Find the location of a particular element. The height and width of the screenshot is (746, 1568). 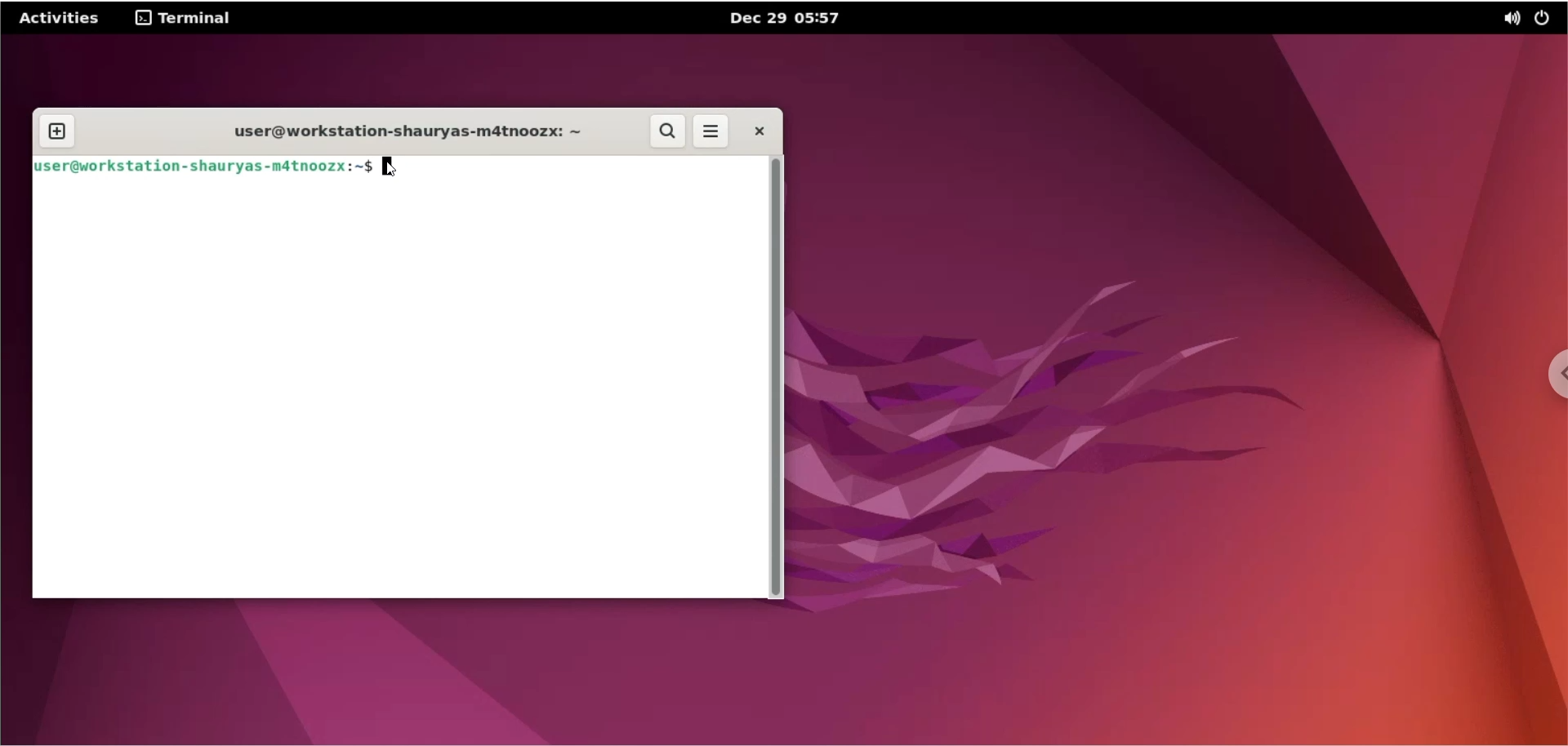

Dec 29 05:57 is located at coordinates (791, 20).